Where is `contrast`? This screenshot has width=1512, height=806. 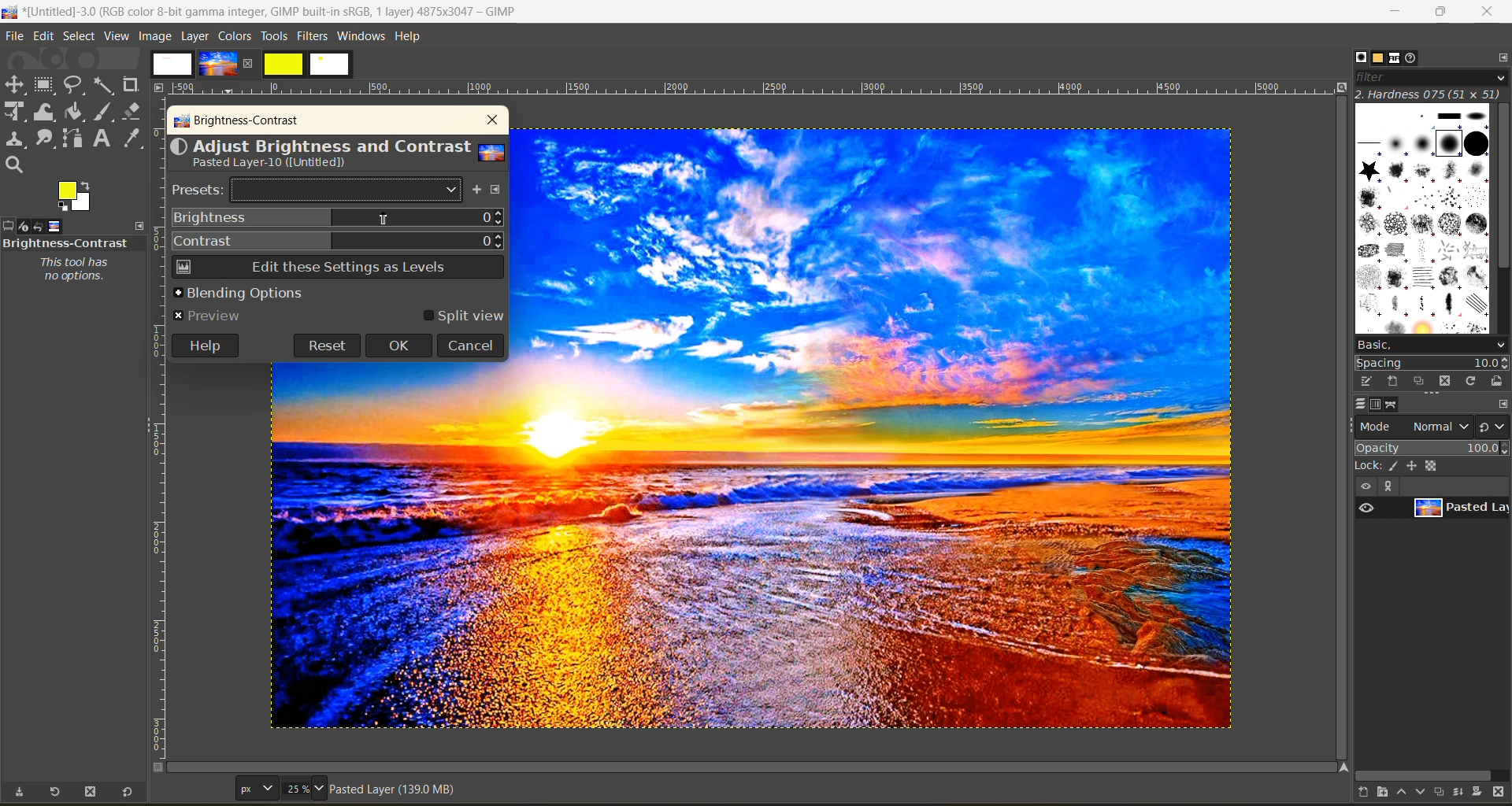
contrast is located at coordinates (338, 241).